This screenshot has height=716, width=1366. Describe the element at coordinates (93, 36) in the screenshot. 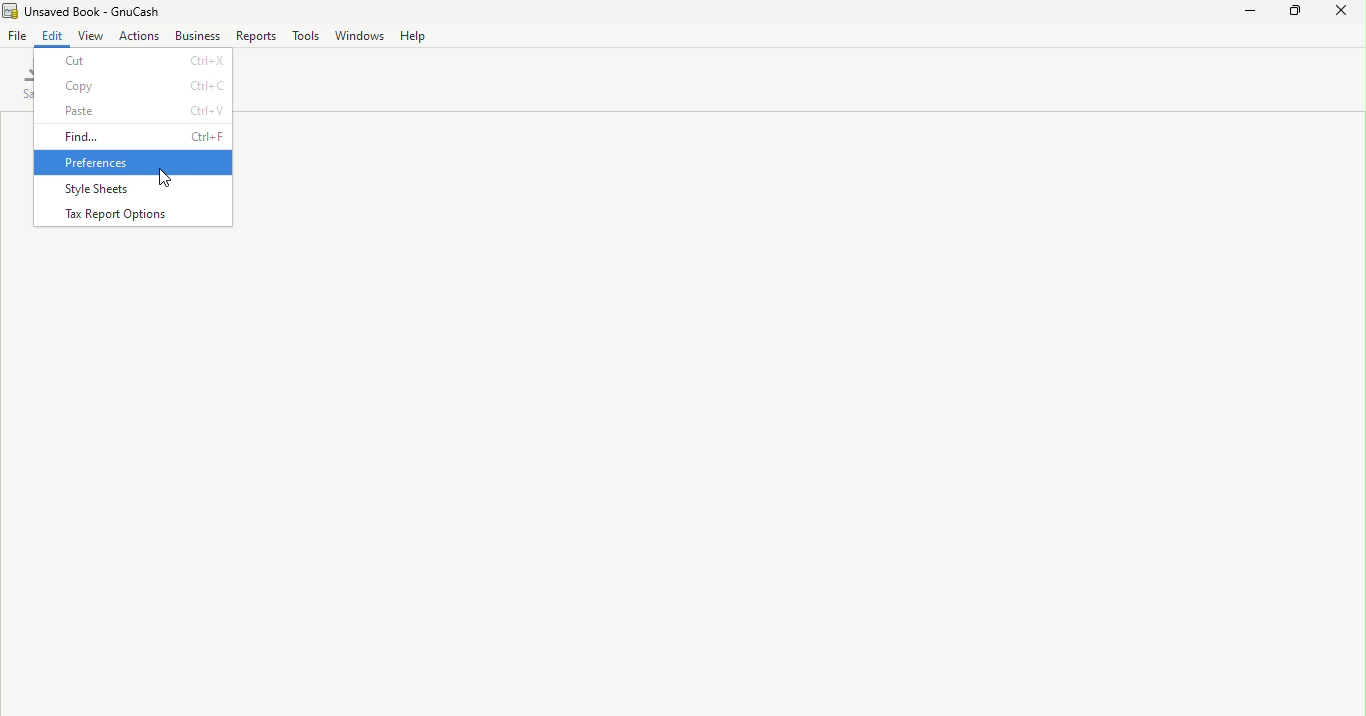

I see `View` at that location.